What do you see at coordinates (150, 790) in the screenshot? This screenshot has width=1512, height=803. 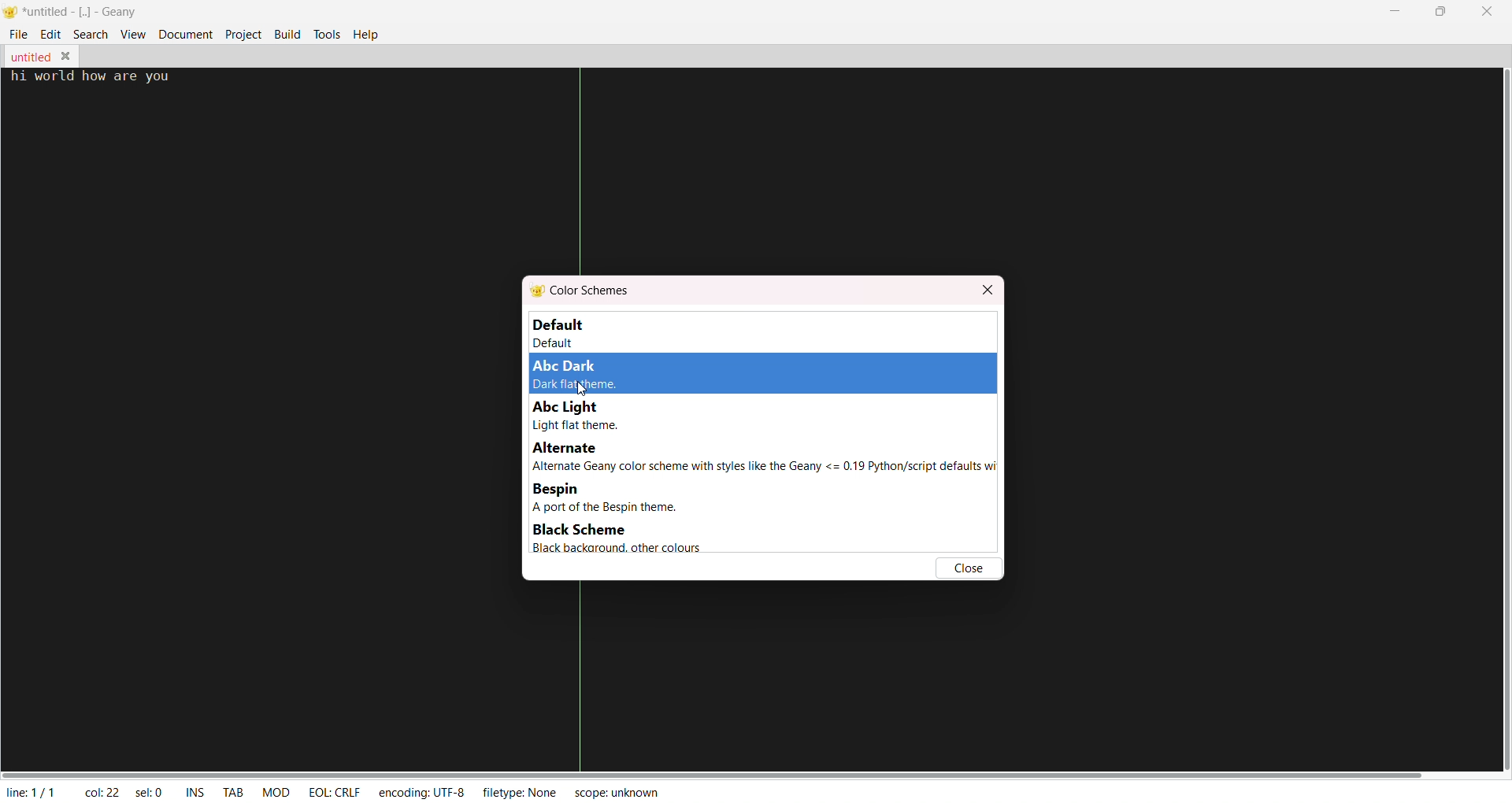 I see `selected` at bounding box center [150, 790].